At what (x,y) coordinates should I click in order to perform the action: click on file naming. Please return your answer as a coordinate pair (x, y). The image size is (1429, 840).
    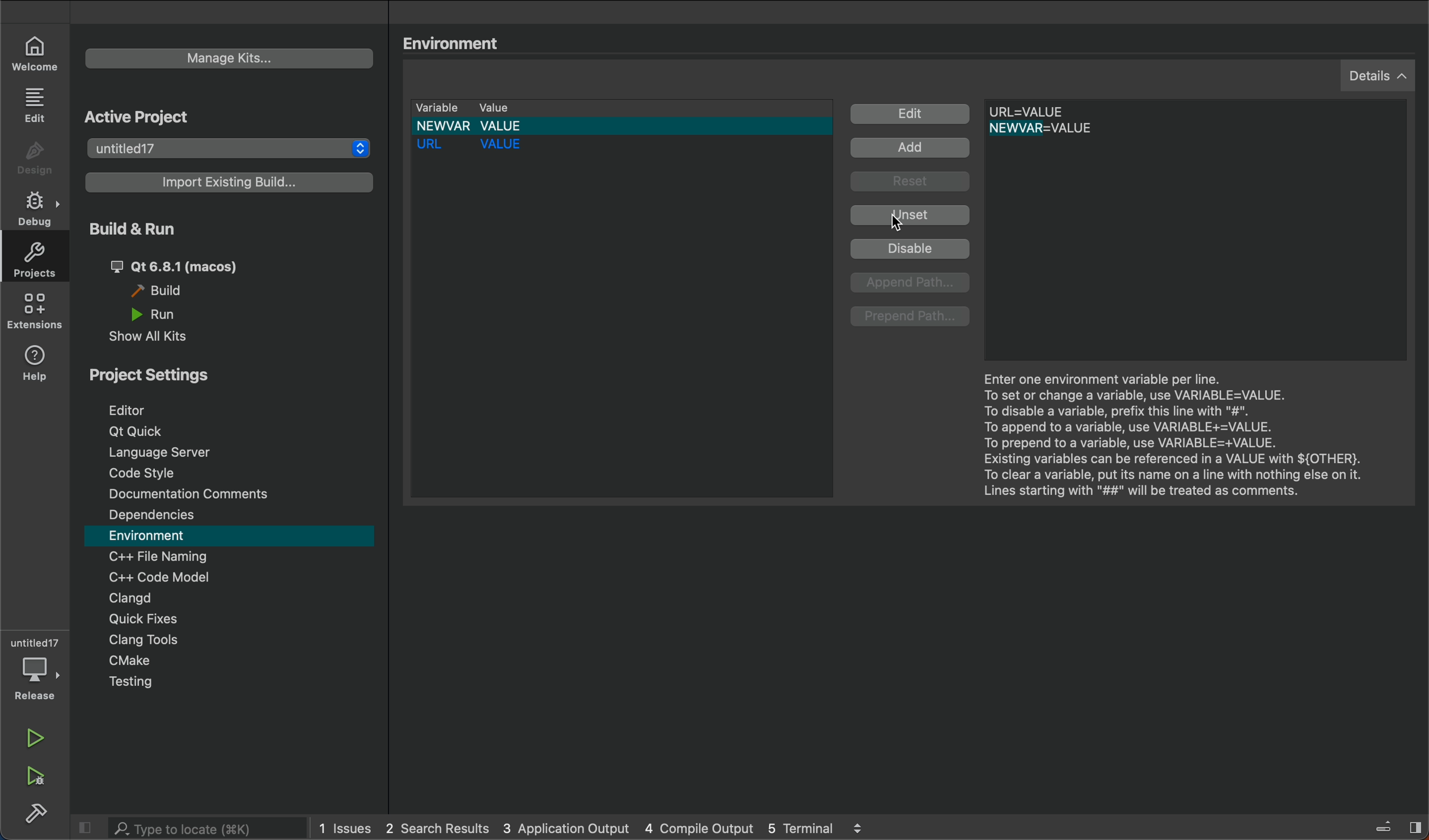
    Looking at the image, I should click on (164, 556).